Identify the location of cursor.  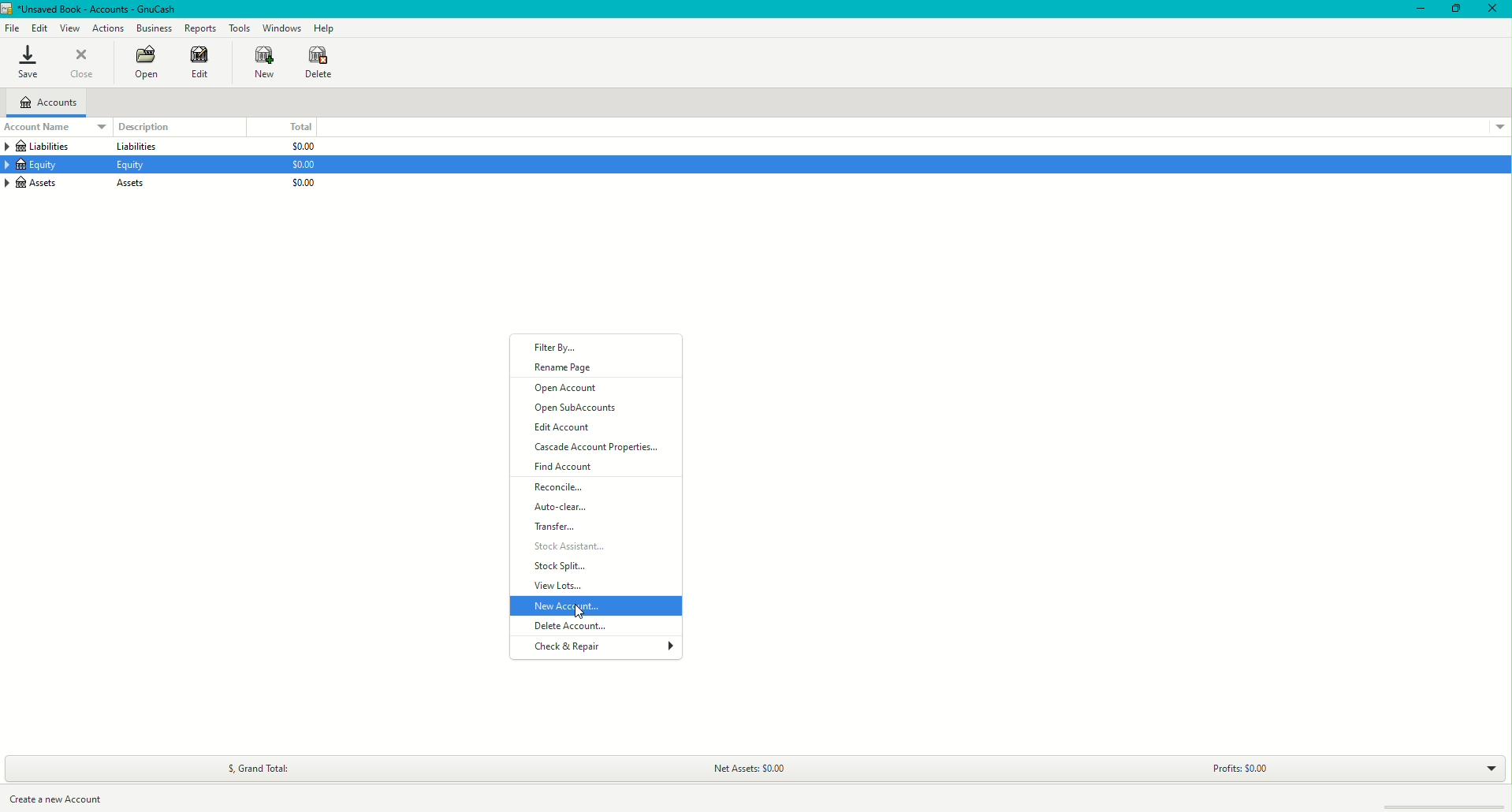
(581, 613).